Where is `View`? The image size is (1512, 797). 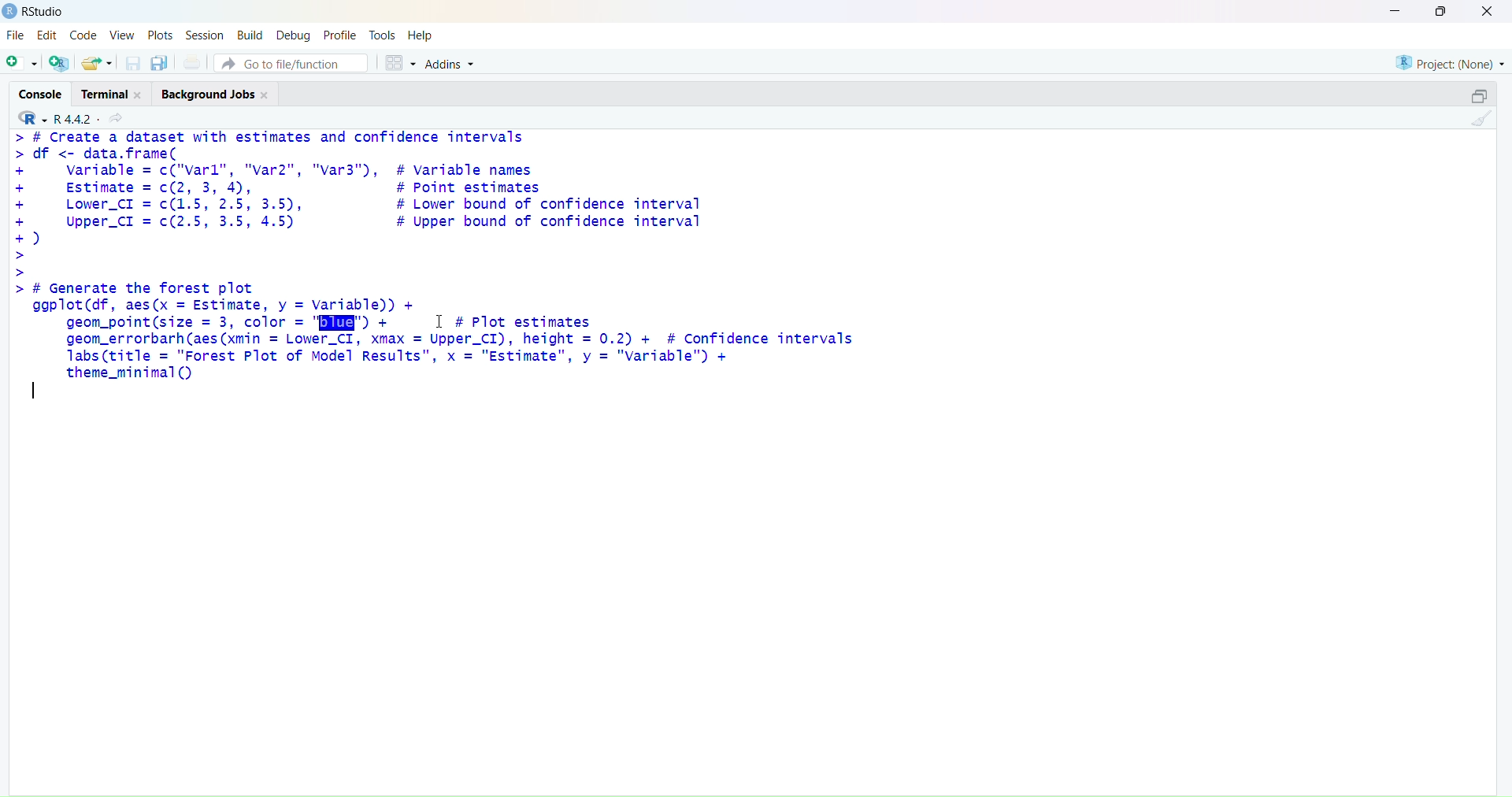 View is located at coordinates (121, 35).